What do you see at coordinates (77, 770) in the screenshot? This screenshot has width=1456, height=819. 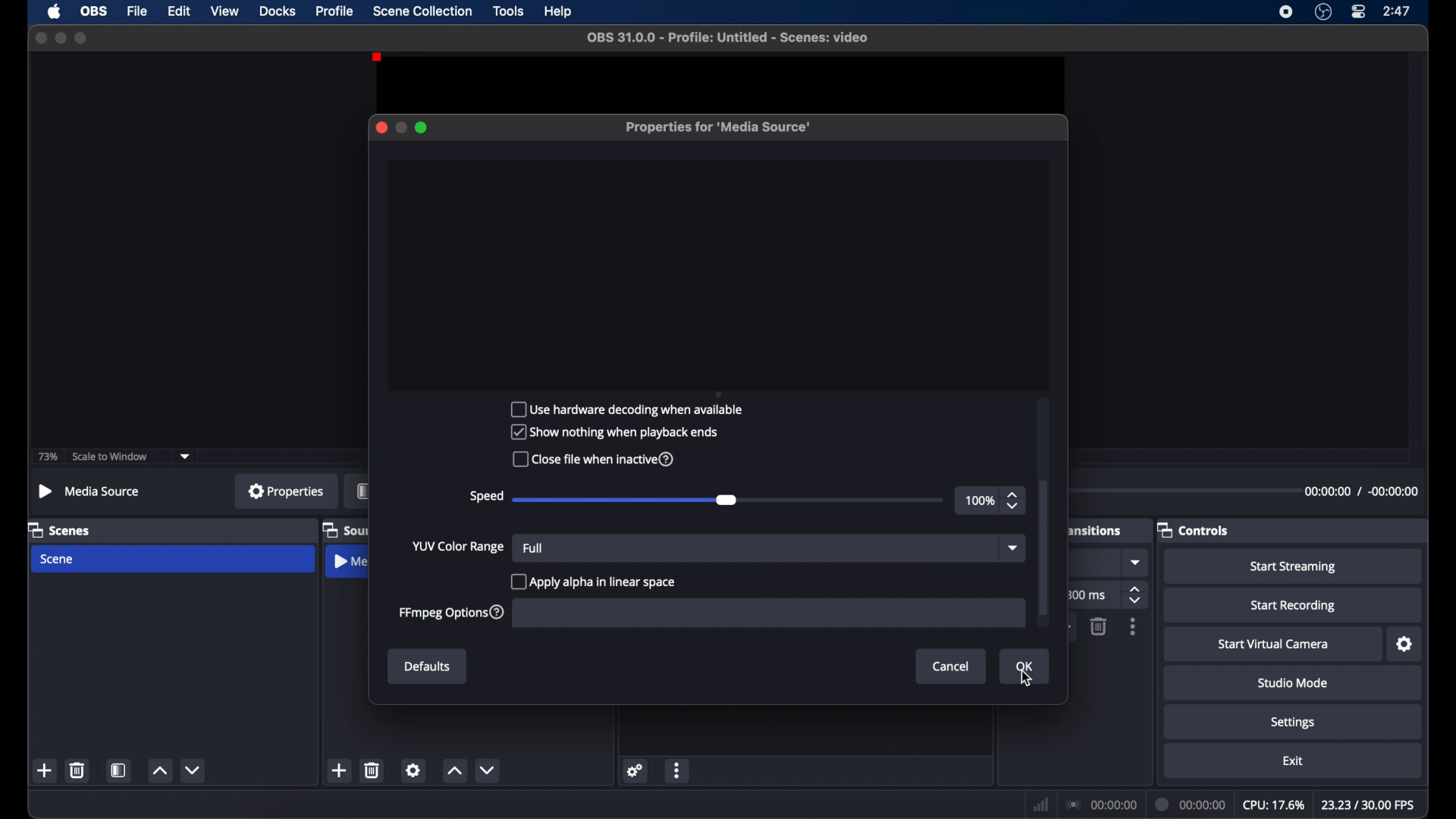 I see `delete` at bounding box center [77, 770].